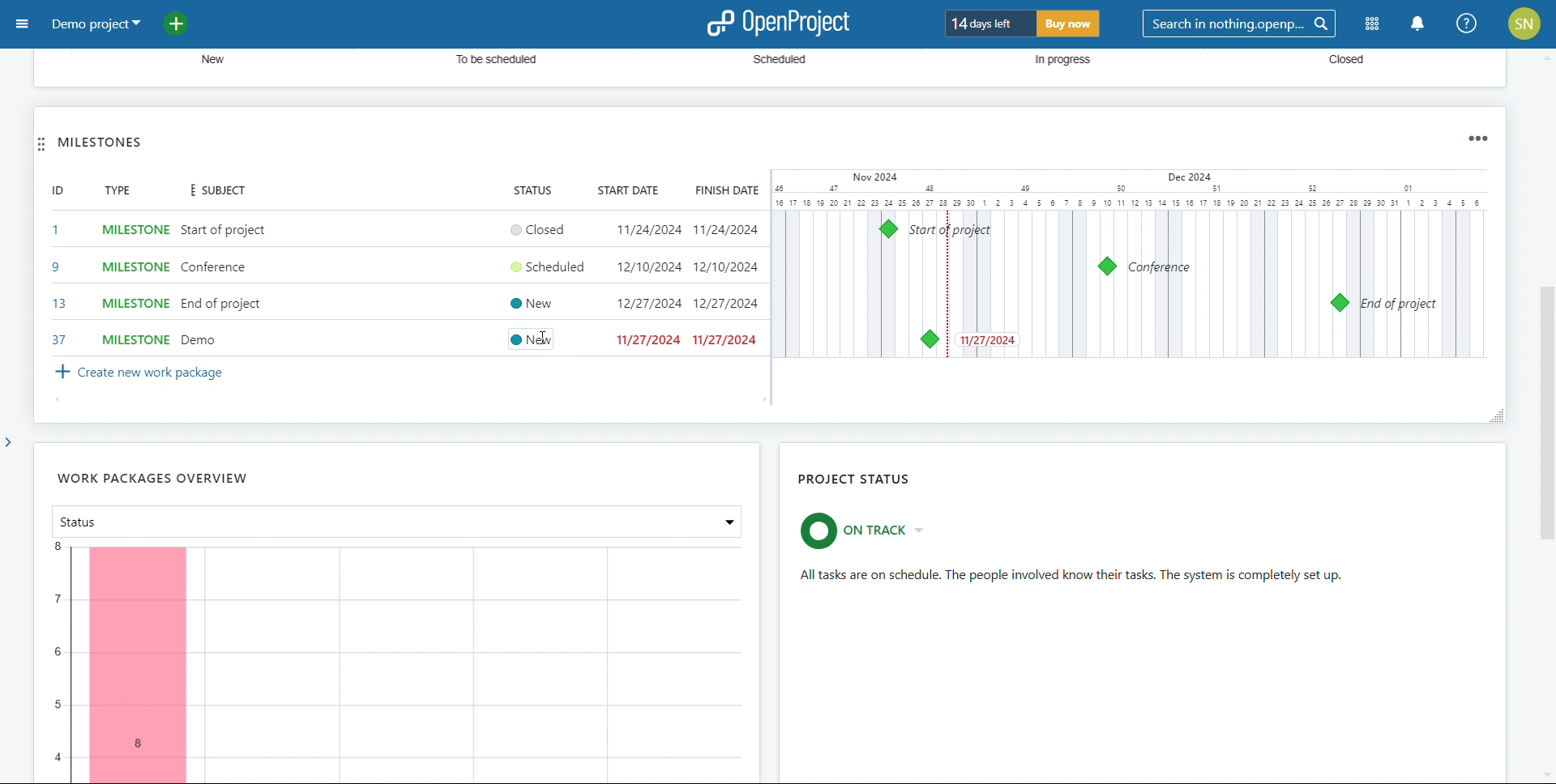 This screenshot has width=1556, height=784. Describe the element at coordinates (548, 286) in the screenshot. I see `set status` at that location.